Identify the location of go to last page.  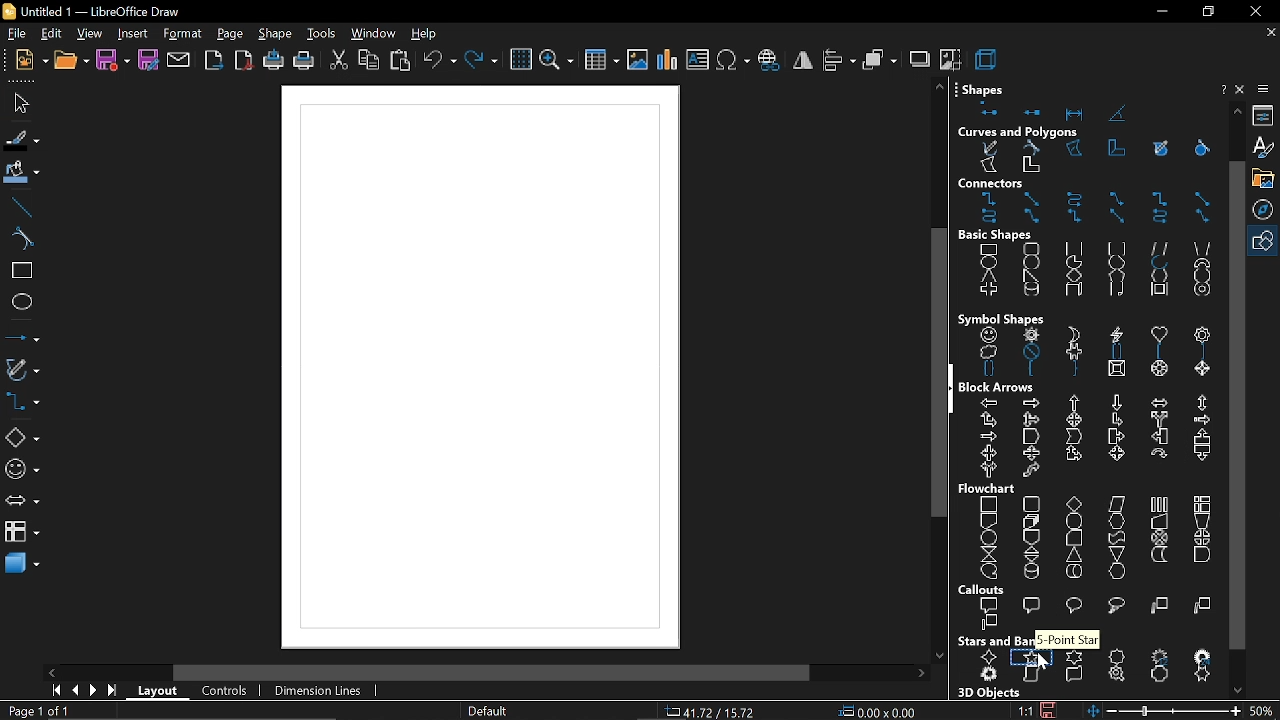
(114, 691).